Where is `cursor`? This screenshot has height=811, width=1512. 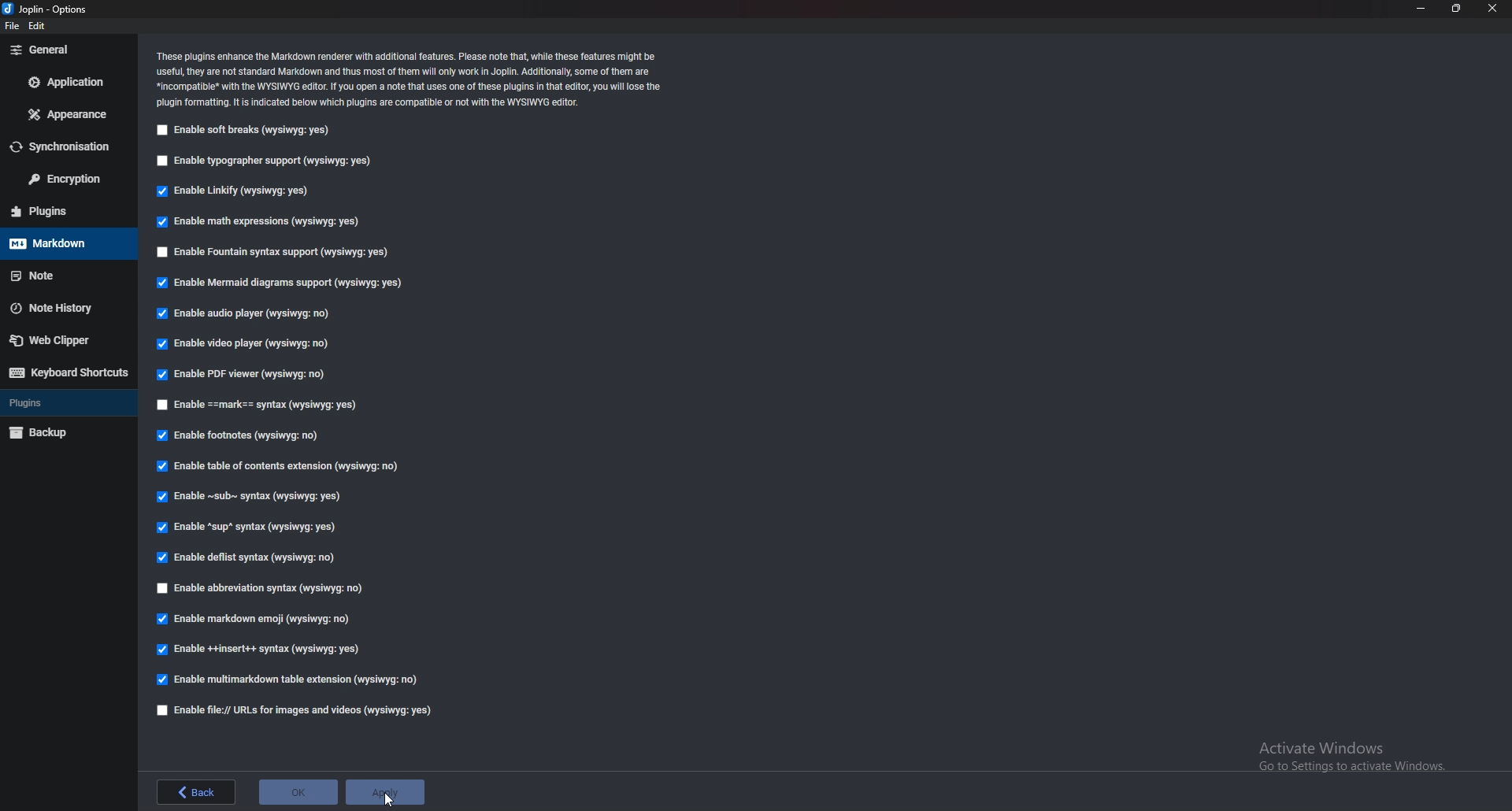
cursor is located at coordinates (390, 799).